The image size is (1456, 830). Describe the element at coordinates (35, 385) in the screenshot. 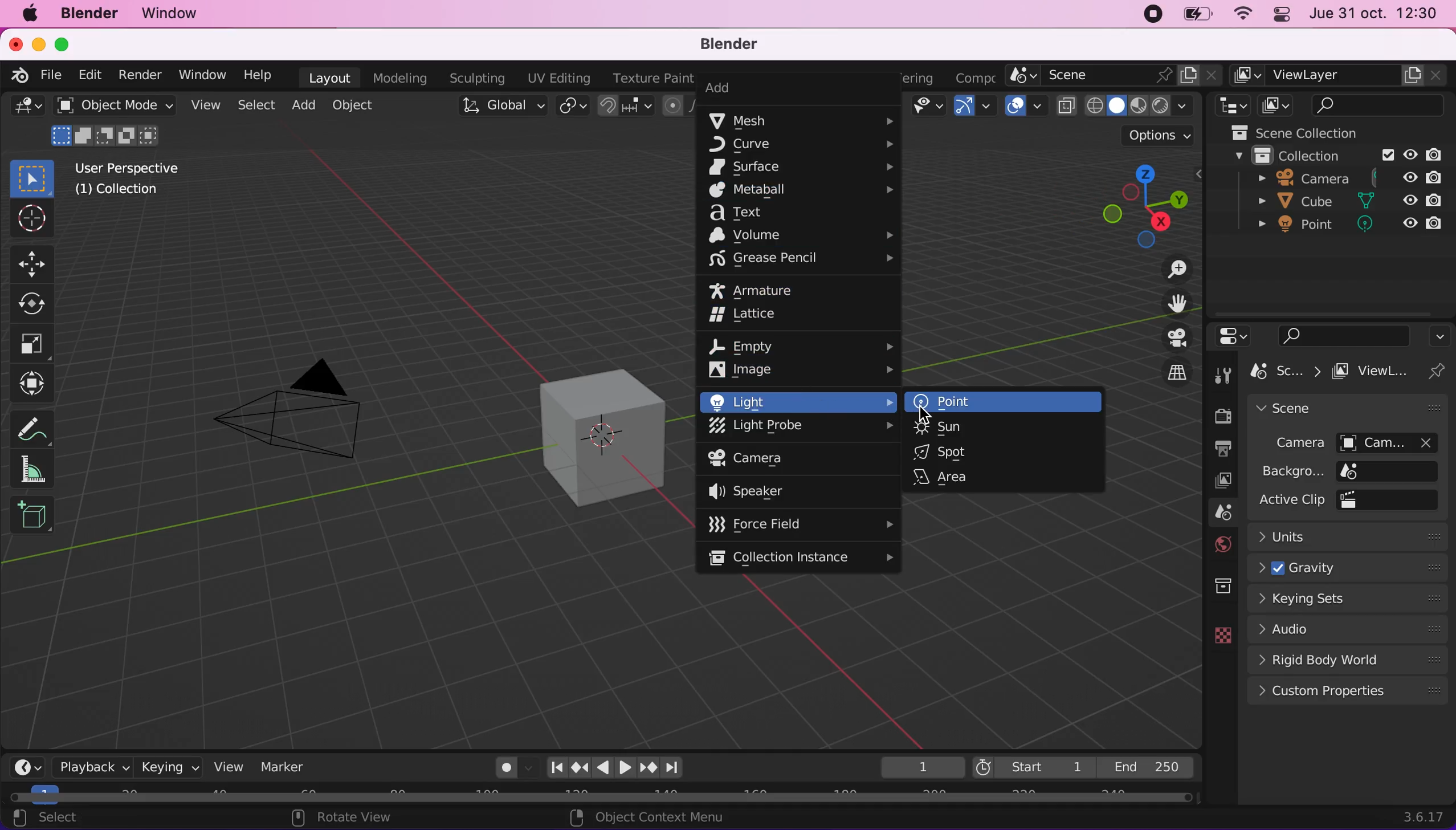

I see `transform` at that location.